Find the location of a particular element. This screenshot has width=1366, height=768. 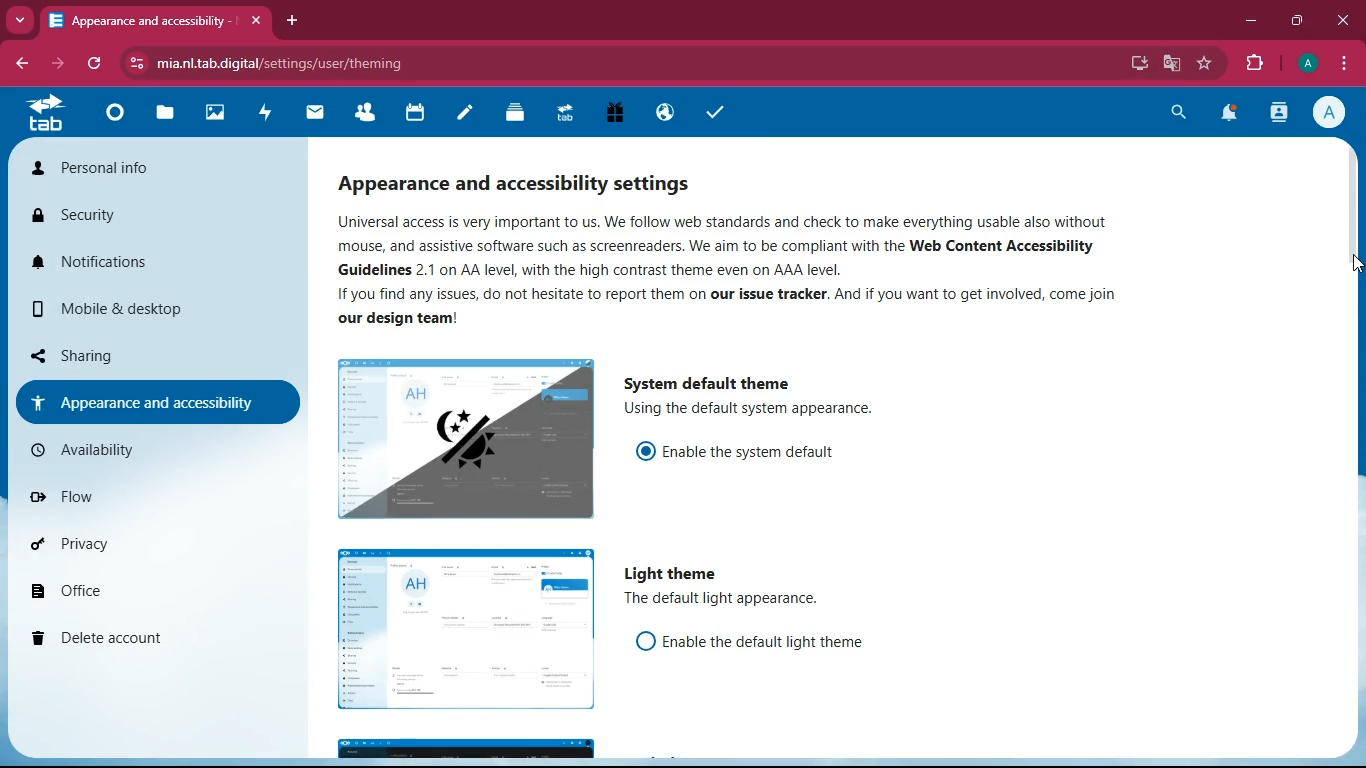

forward is located at coordinates (61, 64).